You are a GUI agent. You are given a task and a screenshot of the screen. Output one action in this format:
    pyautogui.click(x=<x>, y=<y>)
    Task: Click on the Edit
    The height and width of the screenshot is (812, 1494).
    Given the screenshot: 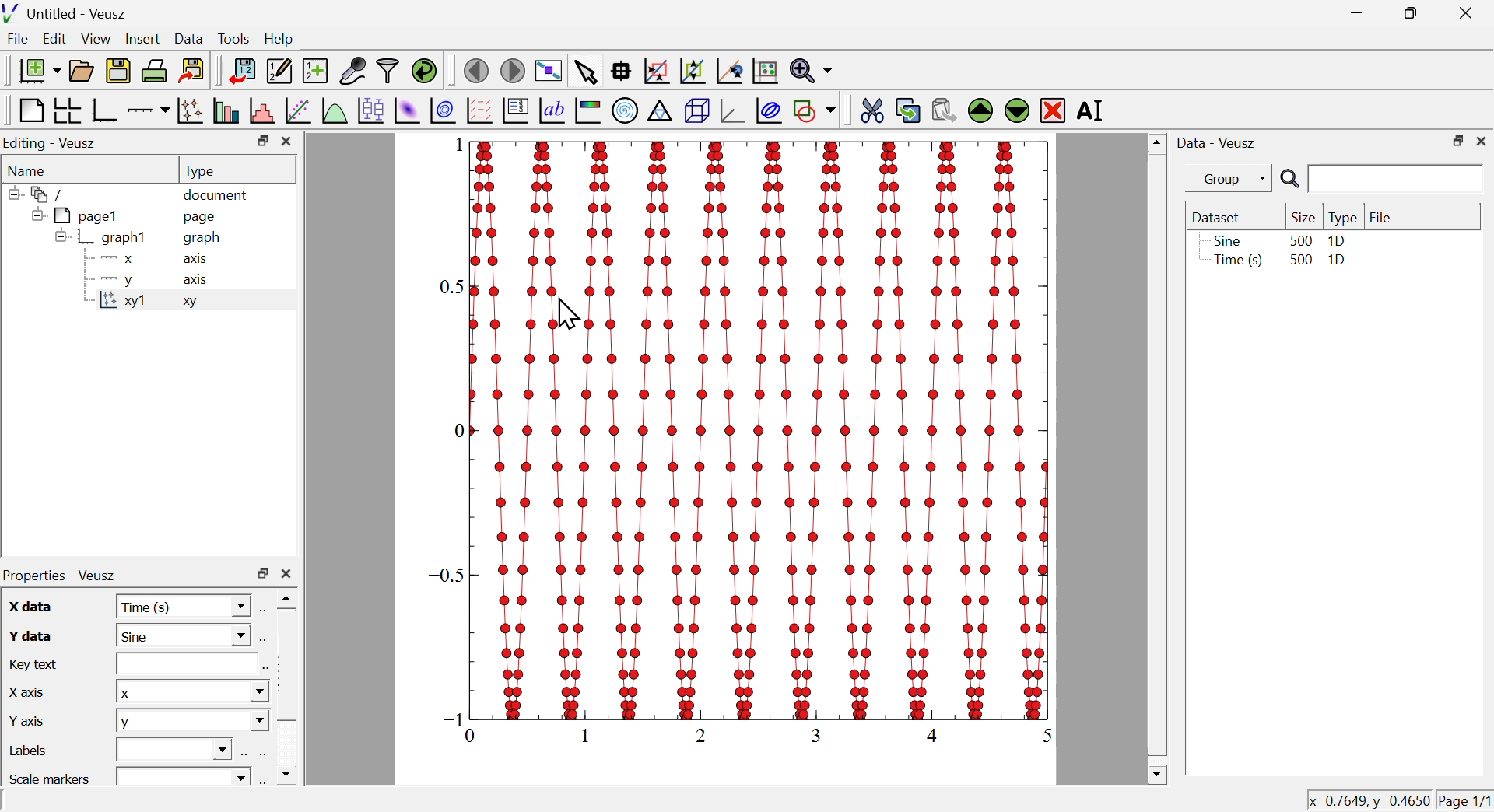 What is the action you would take?
    pyautogui.click(x=55, y=40)
    